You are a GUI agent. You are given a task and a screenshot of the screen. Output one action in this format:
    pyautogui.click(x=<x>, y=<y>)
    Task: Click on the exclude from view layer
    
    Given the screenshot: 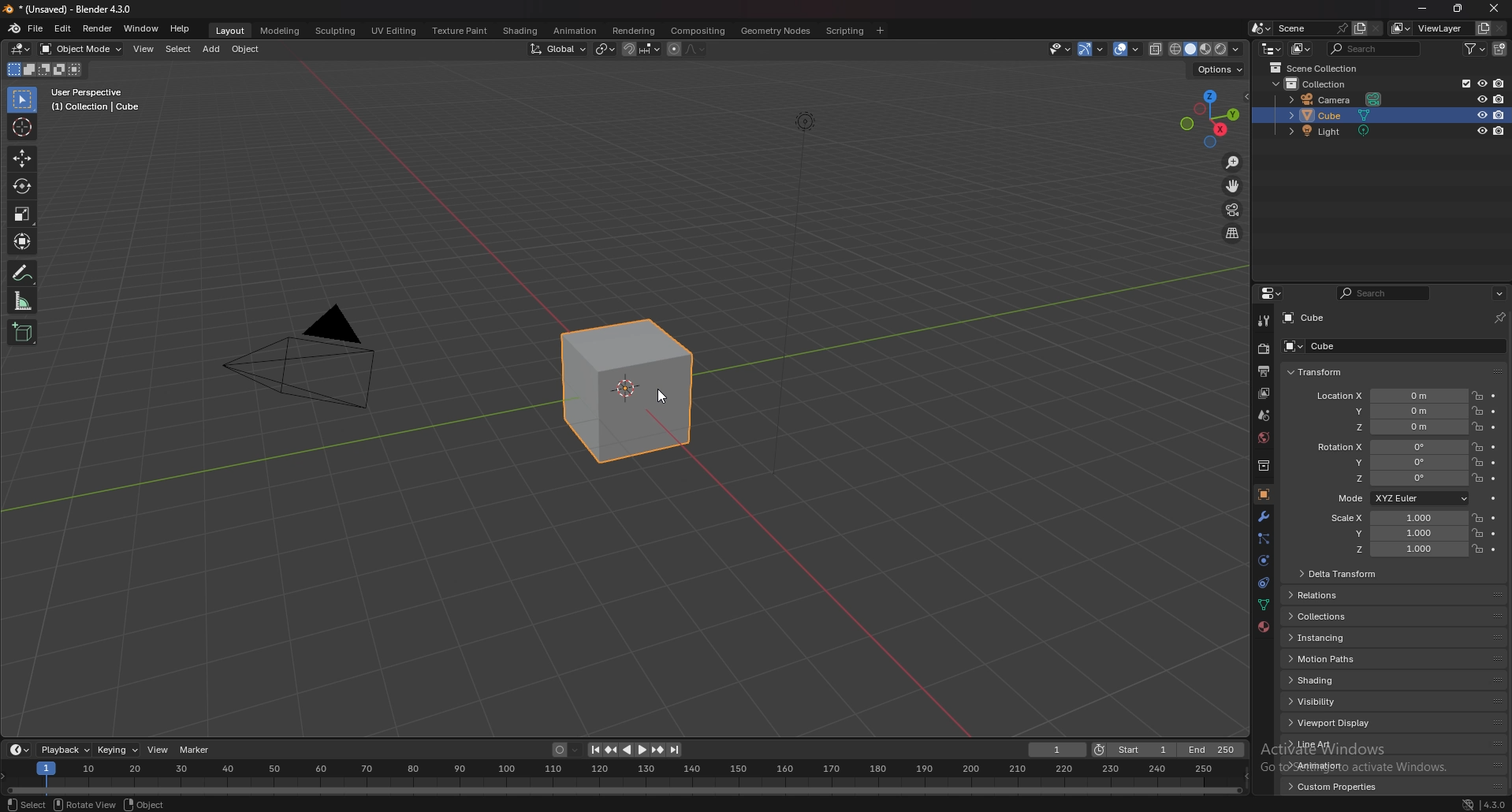 What is the action you would take?
    pyautogui.click(x=1465, y=84)
    